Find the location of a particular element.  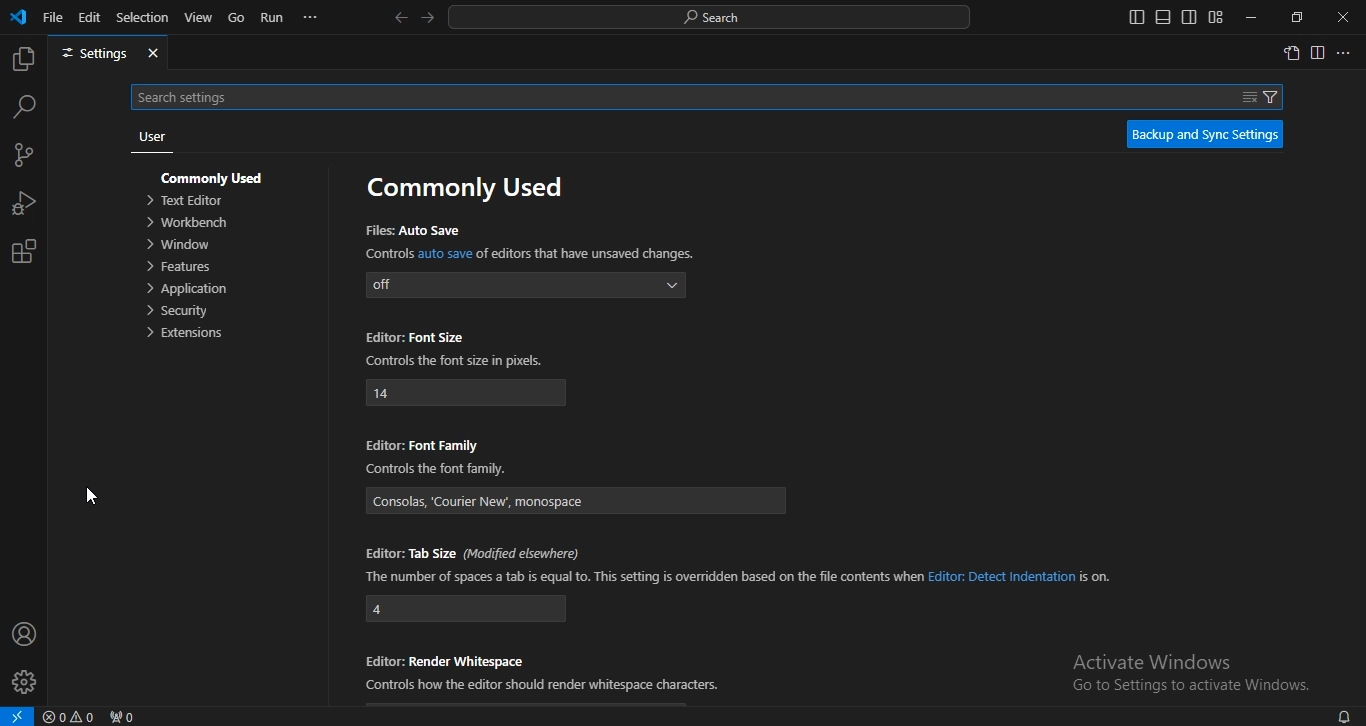

toggle secondary sidebar is located at coordinates (1189, 17).